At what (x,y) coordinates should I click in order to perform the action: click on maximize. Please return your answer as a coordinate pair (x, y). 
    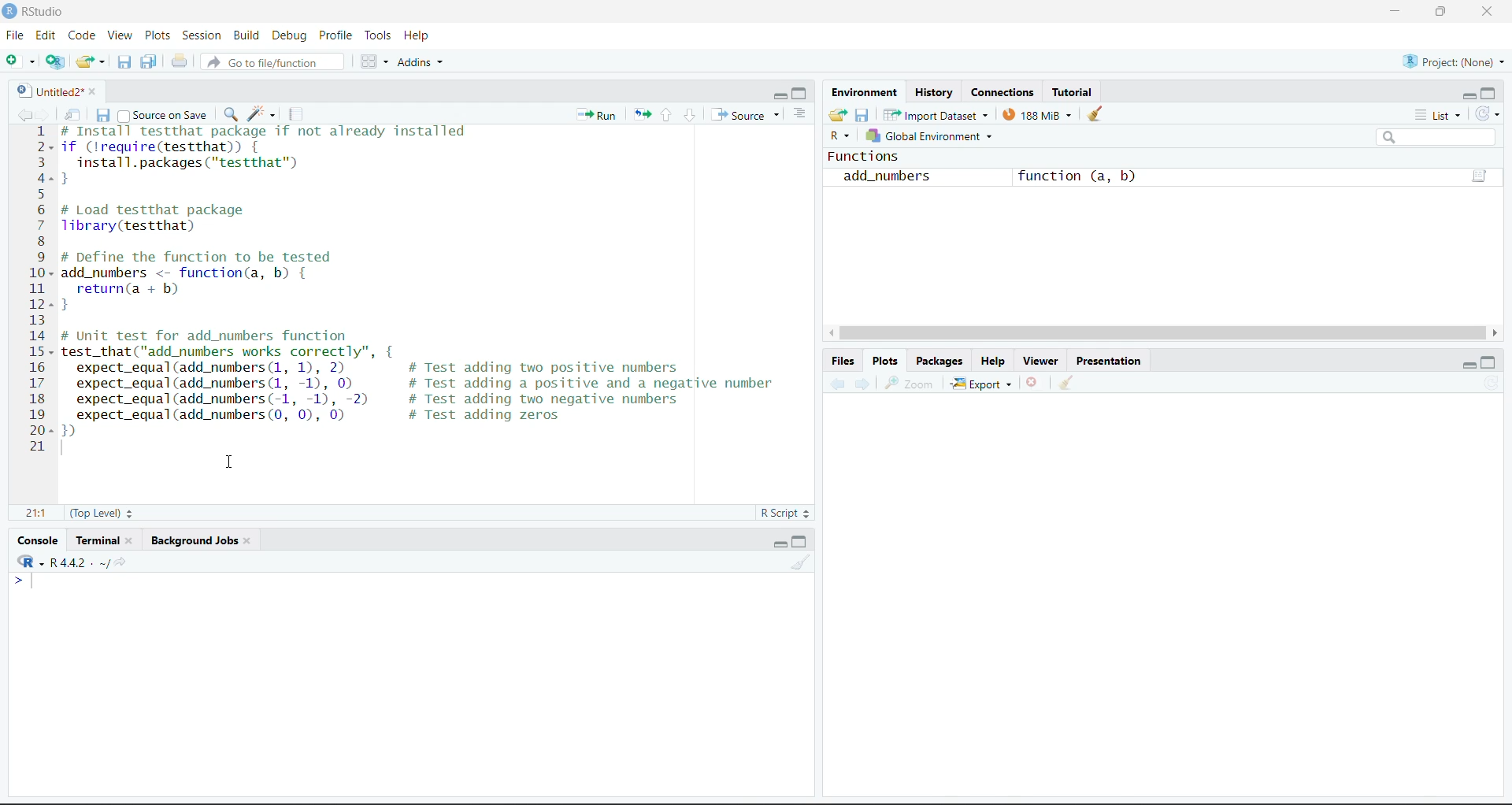
    Looking at the image, I should click on (799, 542).